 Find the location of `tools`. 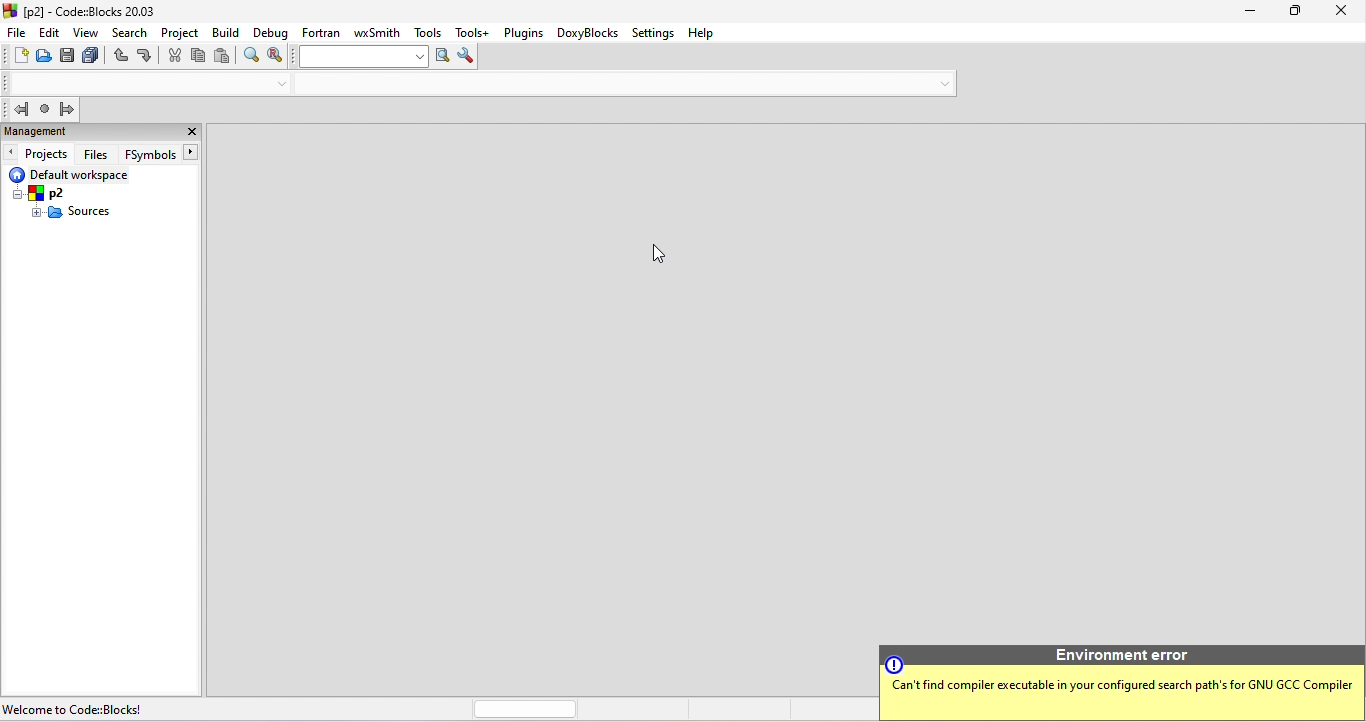

tools is located at coordinates (428, 32).